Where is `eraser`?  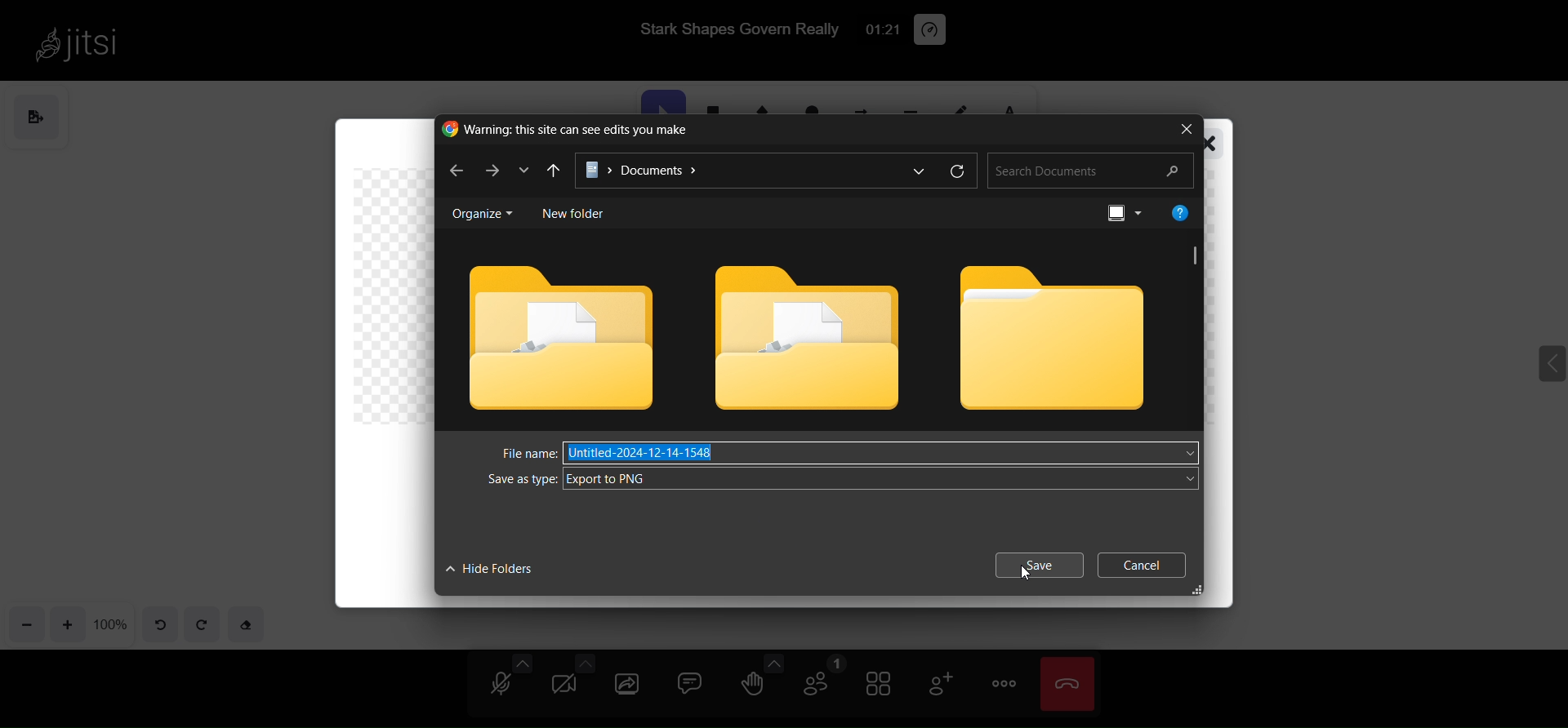
eraser is located at coordinates (248, 625).